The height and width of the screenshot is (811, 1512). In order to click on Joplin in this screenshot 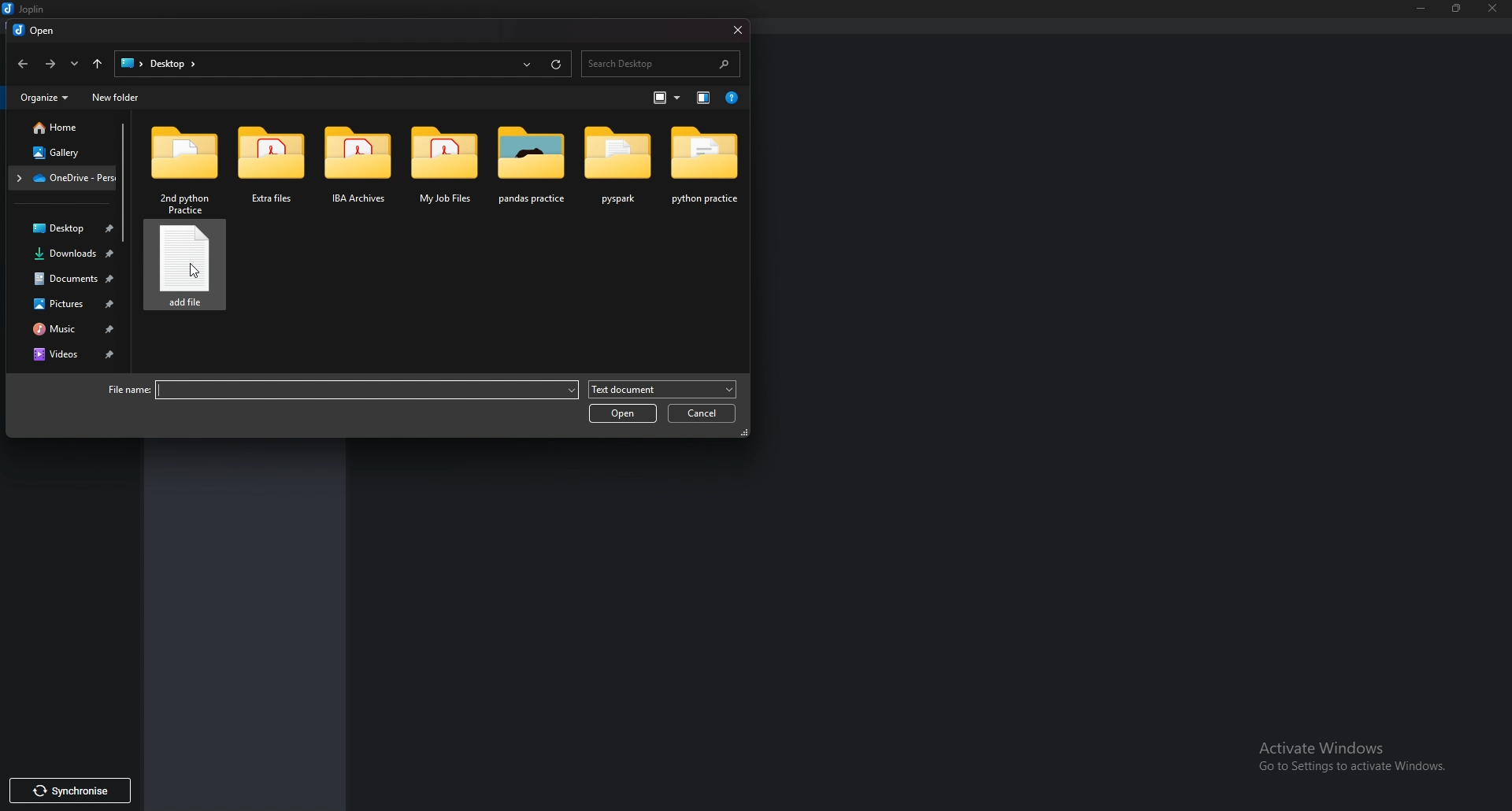, I will do `click(28, 9)`.